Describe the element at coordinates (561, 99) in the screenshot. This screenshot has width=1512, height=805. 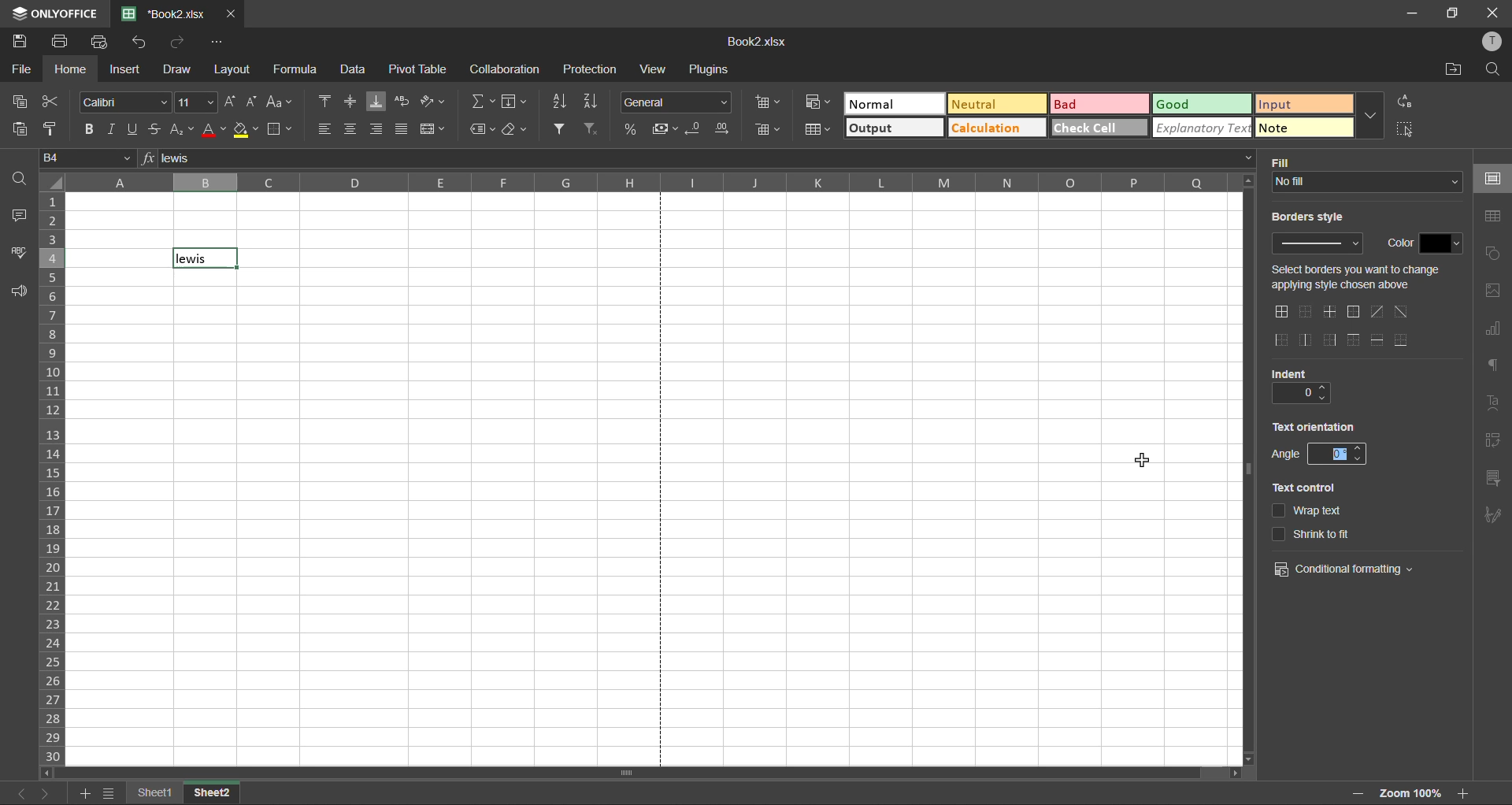
I see `sort ascending` at that location.